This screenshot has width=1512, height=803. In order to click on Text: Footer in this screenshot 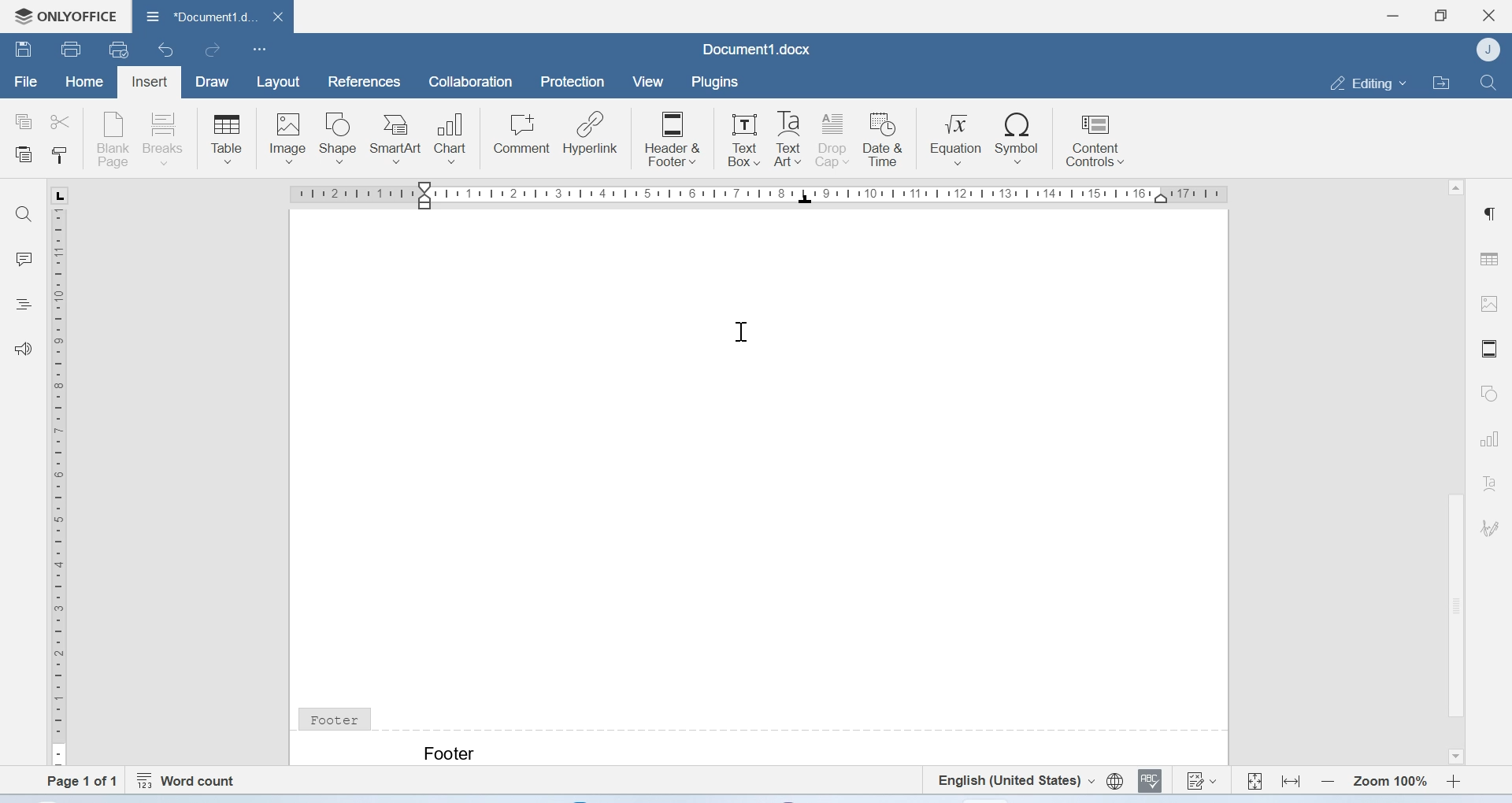, I will do `click(454, 753)`.